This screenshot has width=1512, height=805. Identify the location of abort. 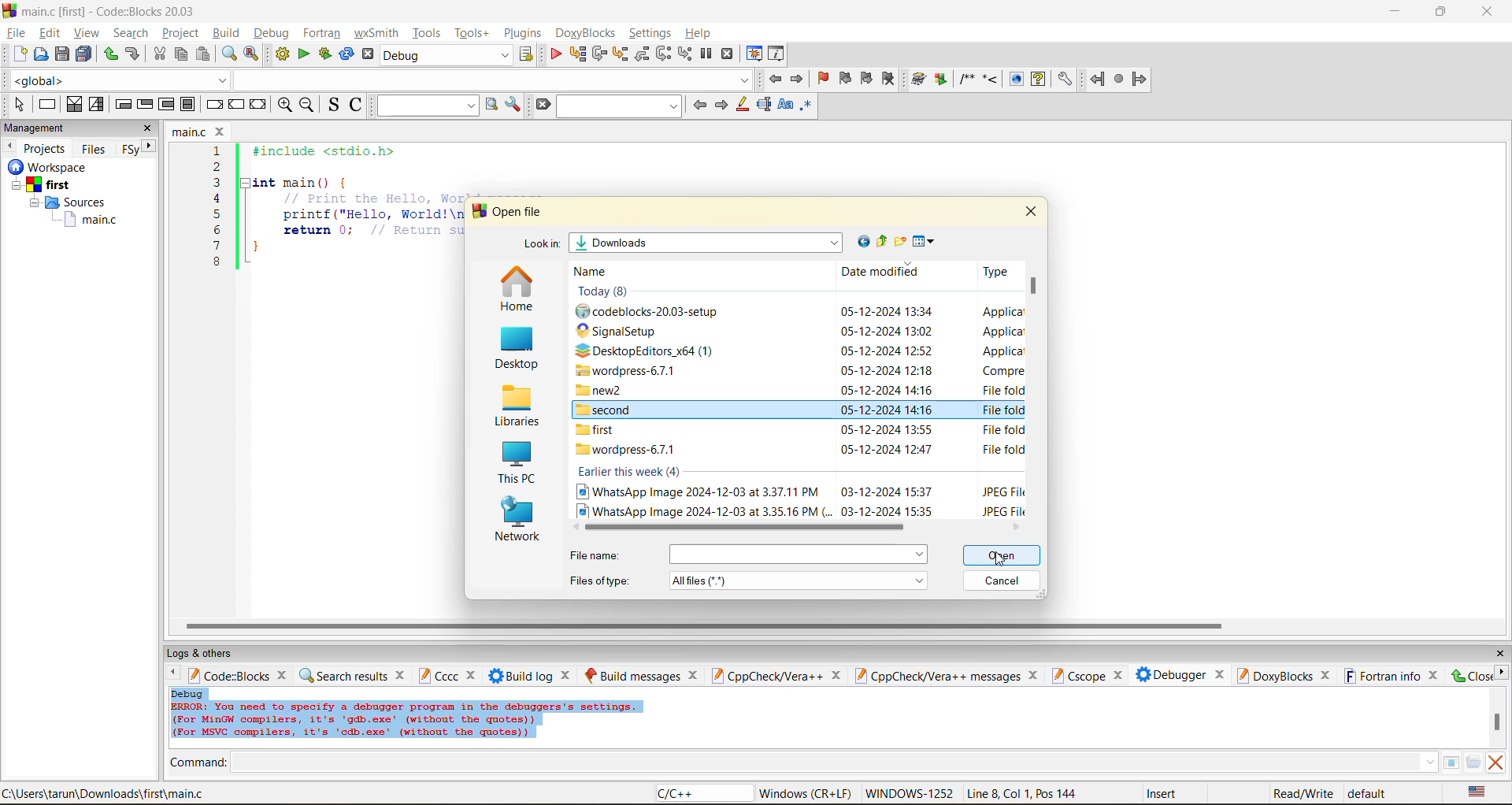
(368, 54).